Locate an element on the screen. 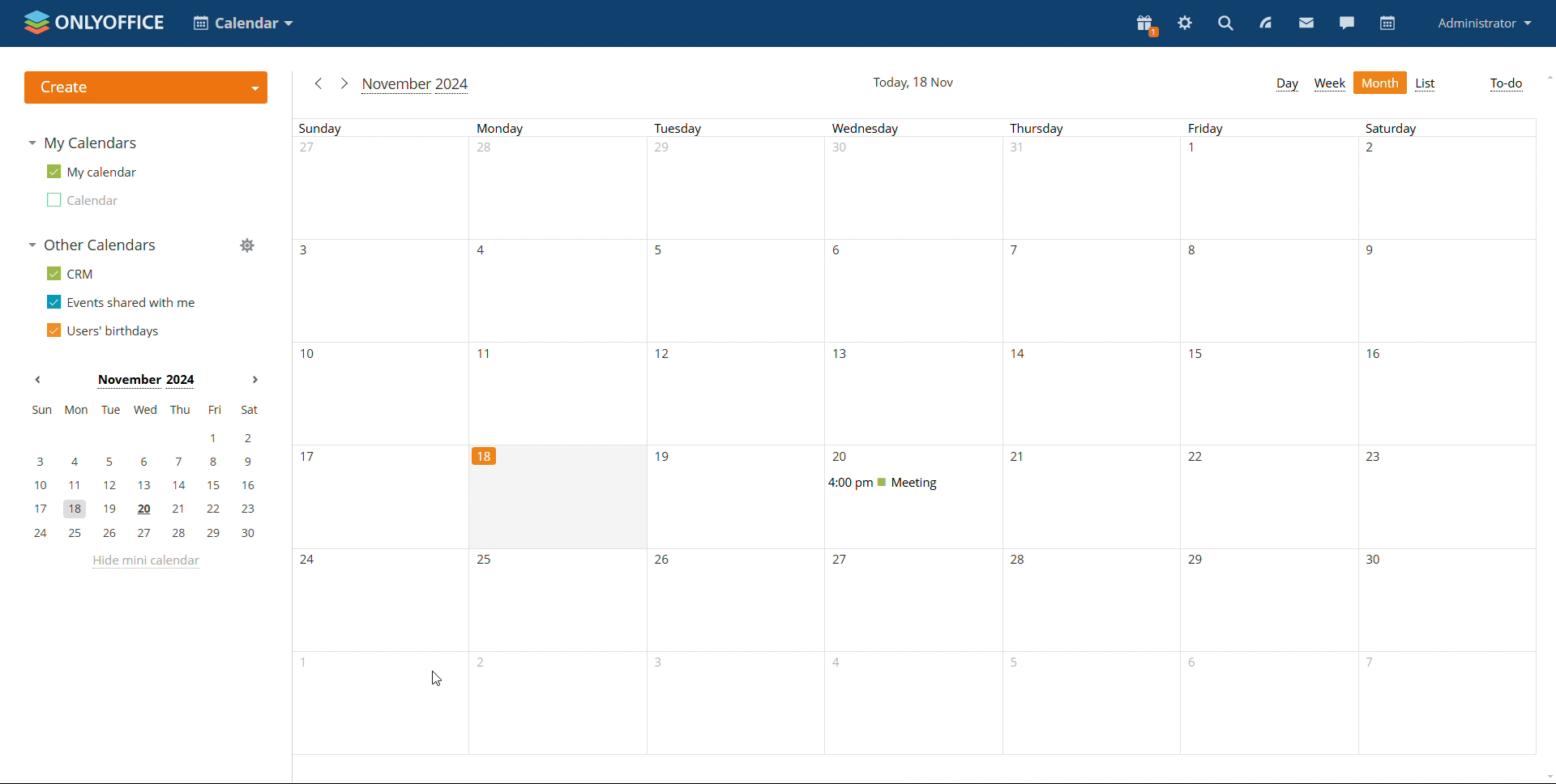 Image resolution: width=1556 pixels, height=784 pixels. my calendar is located at coordinates (91, 170).